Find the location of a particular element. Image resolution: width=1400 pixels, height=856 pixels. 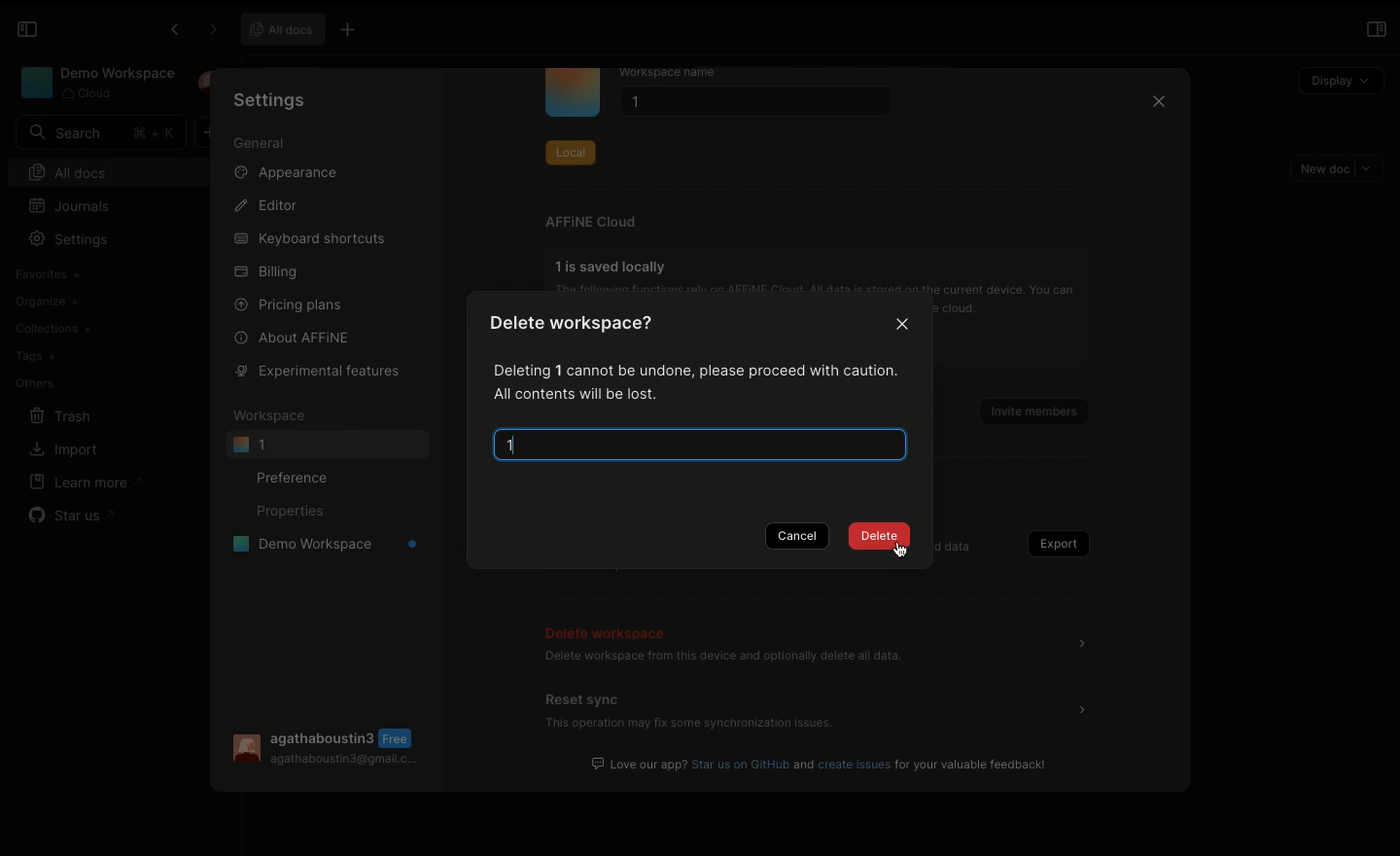

Tis operation may Tix some Synchronization Issues. is located at coordinates (687, 726).